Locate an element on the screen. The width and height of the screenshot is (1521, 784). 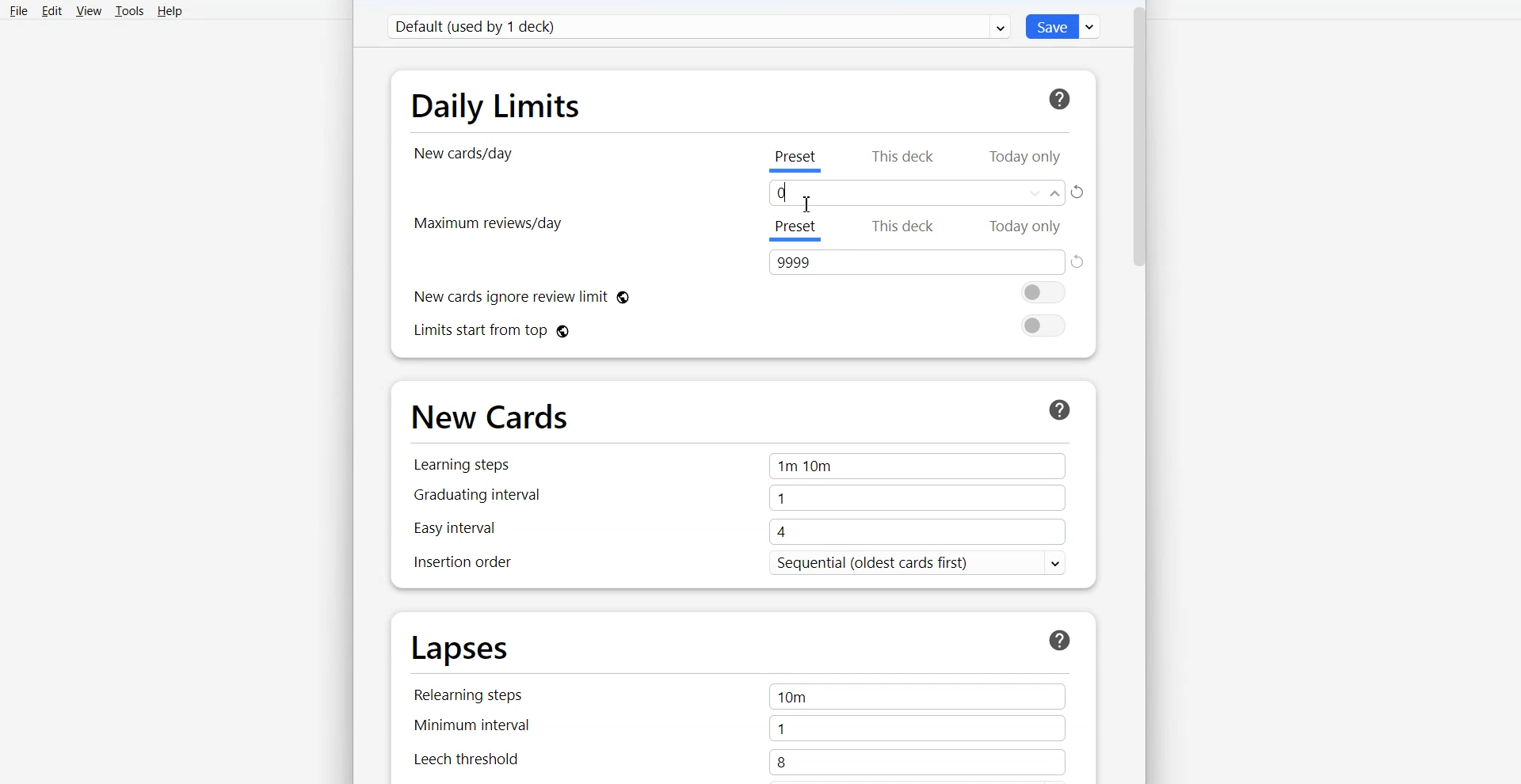
Maximum Review is located at coordinates (490, 224).